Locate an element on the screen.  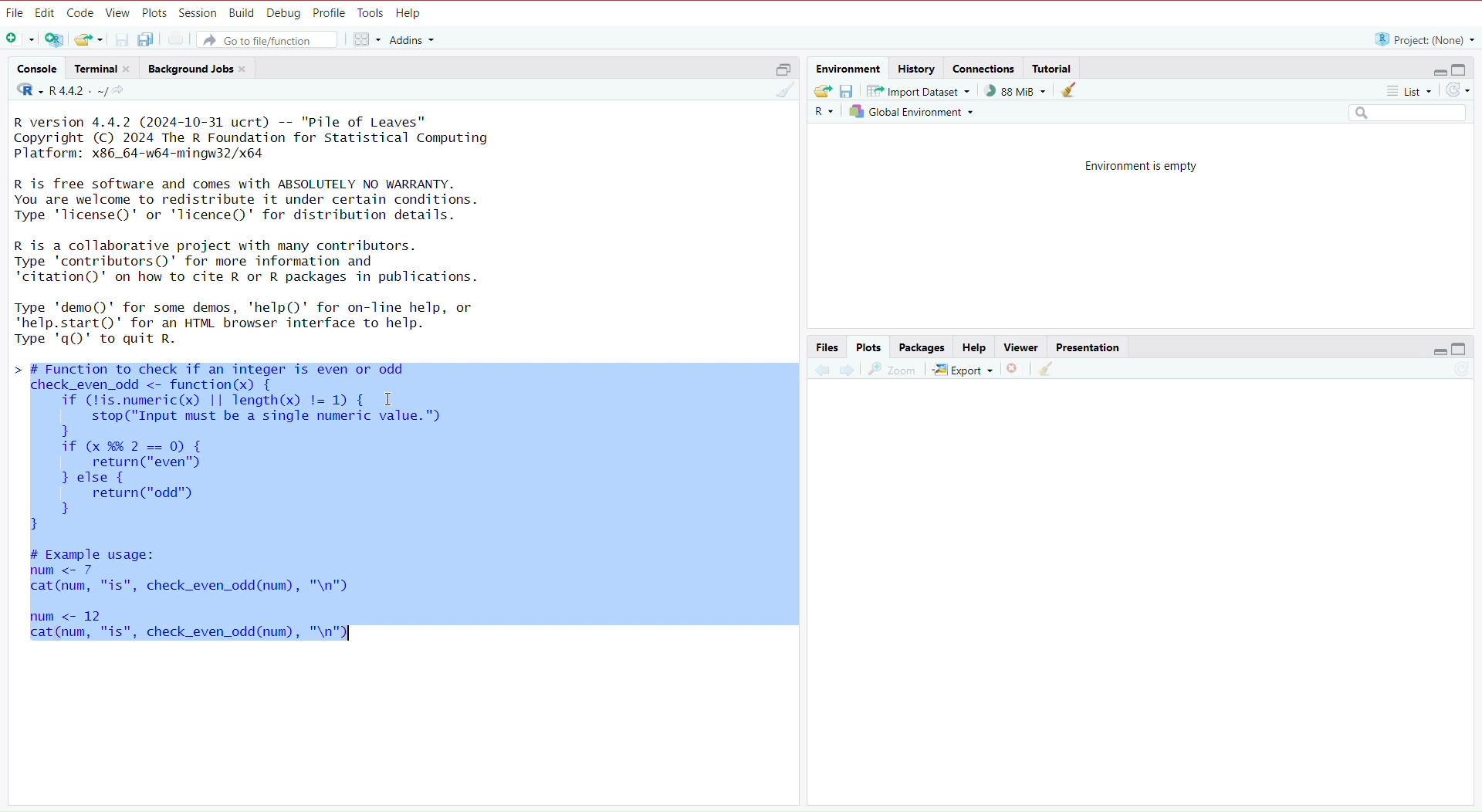
view the current working directory is located at coordinates (123, 92).